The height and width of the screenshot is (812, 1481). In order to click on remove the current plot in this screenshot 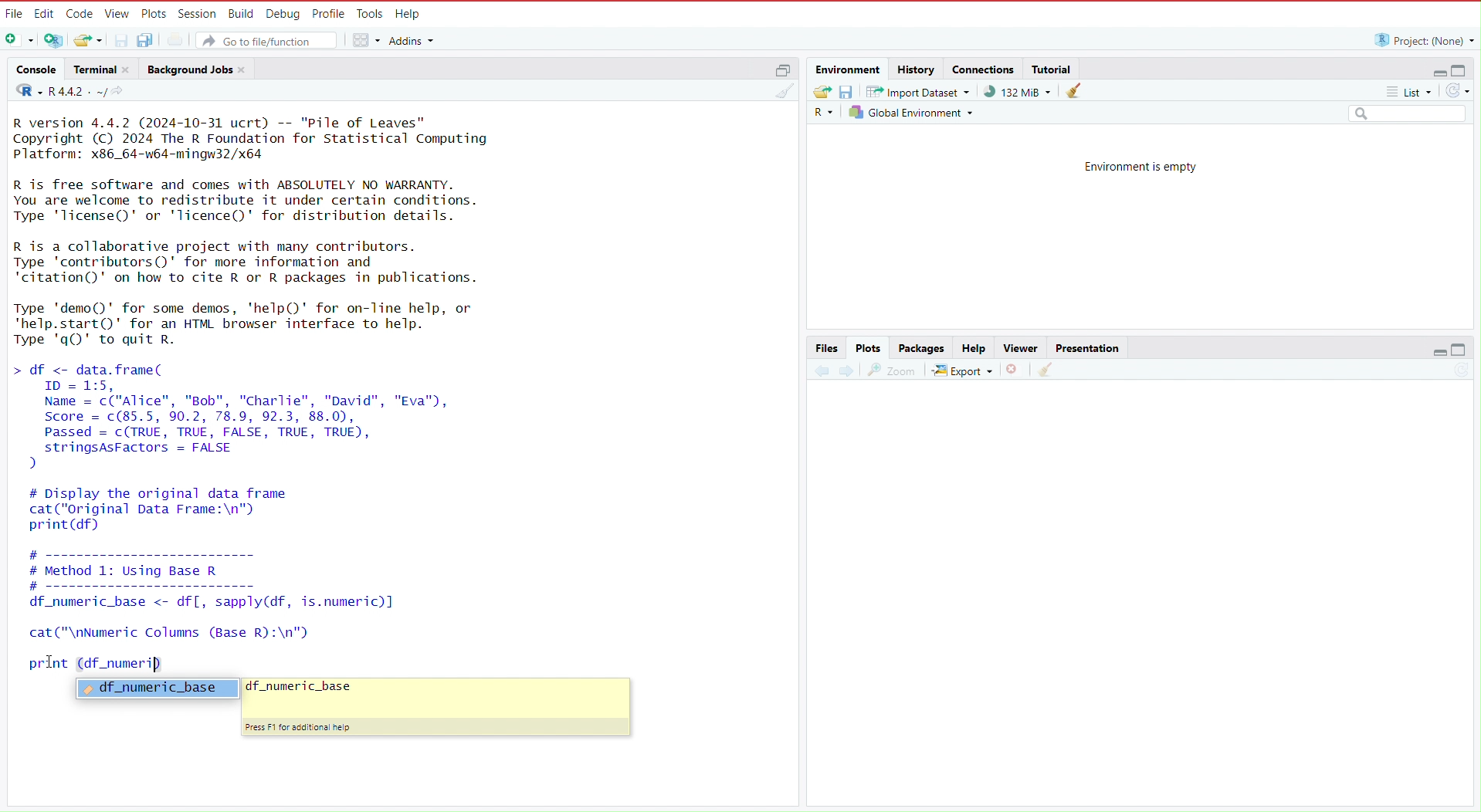, I will do `click(1014, 370)`.